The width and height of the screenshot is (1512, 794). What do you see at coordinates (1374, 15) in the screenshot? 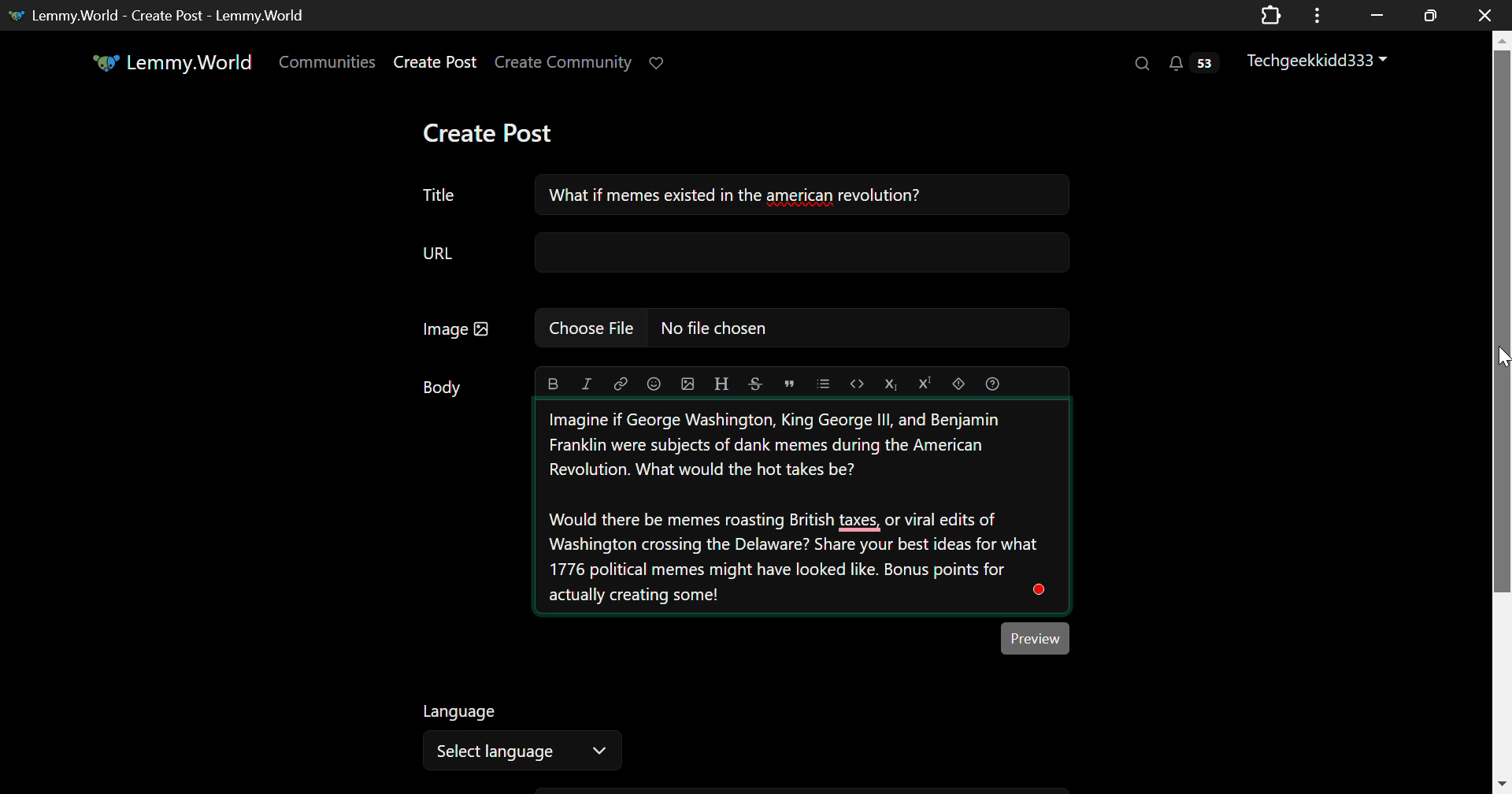
I see `Restore Down` at bounding box center [1374, 15].